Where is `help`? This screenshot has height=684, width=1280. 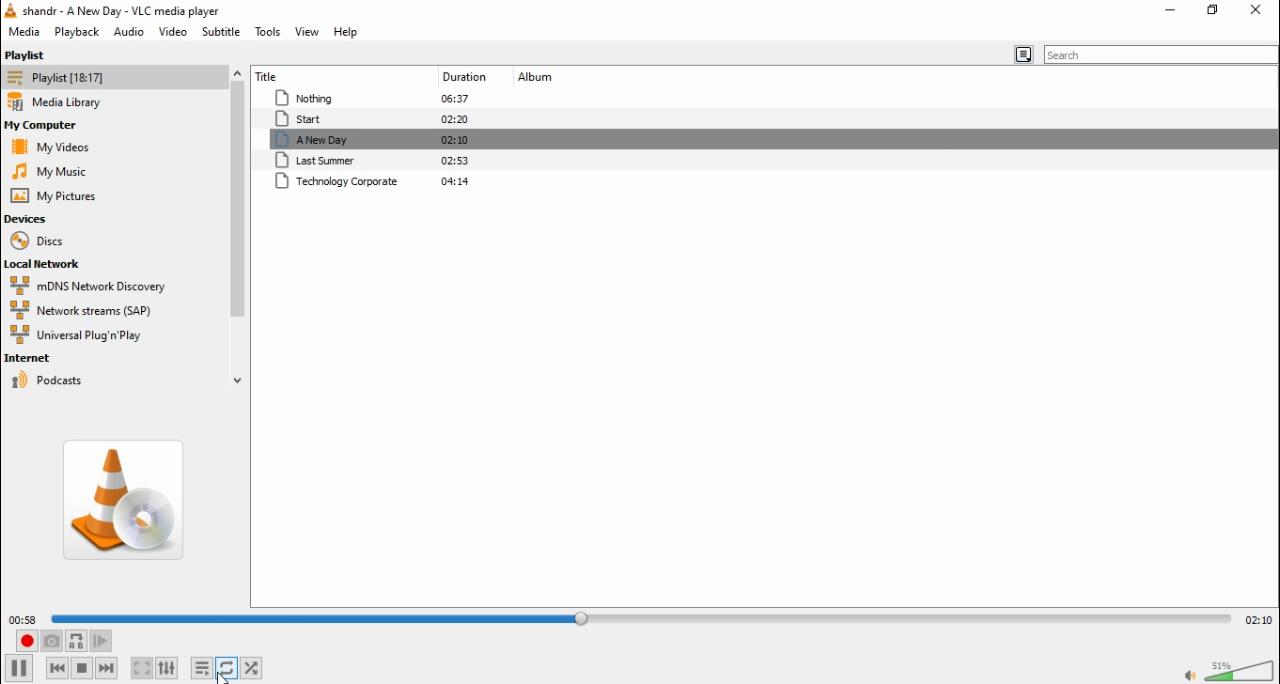
help is located at coordinates (350, 34).